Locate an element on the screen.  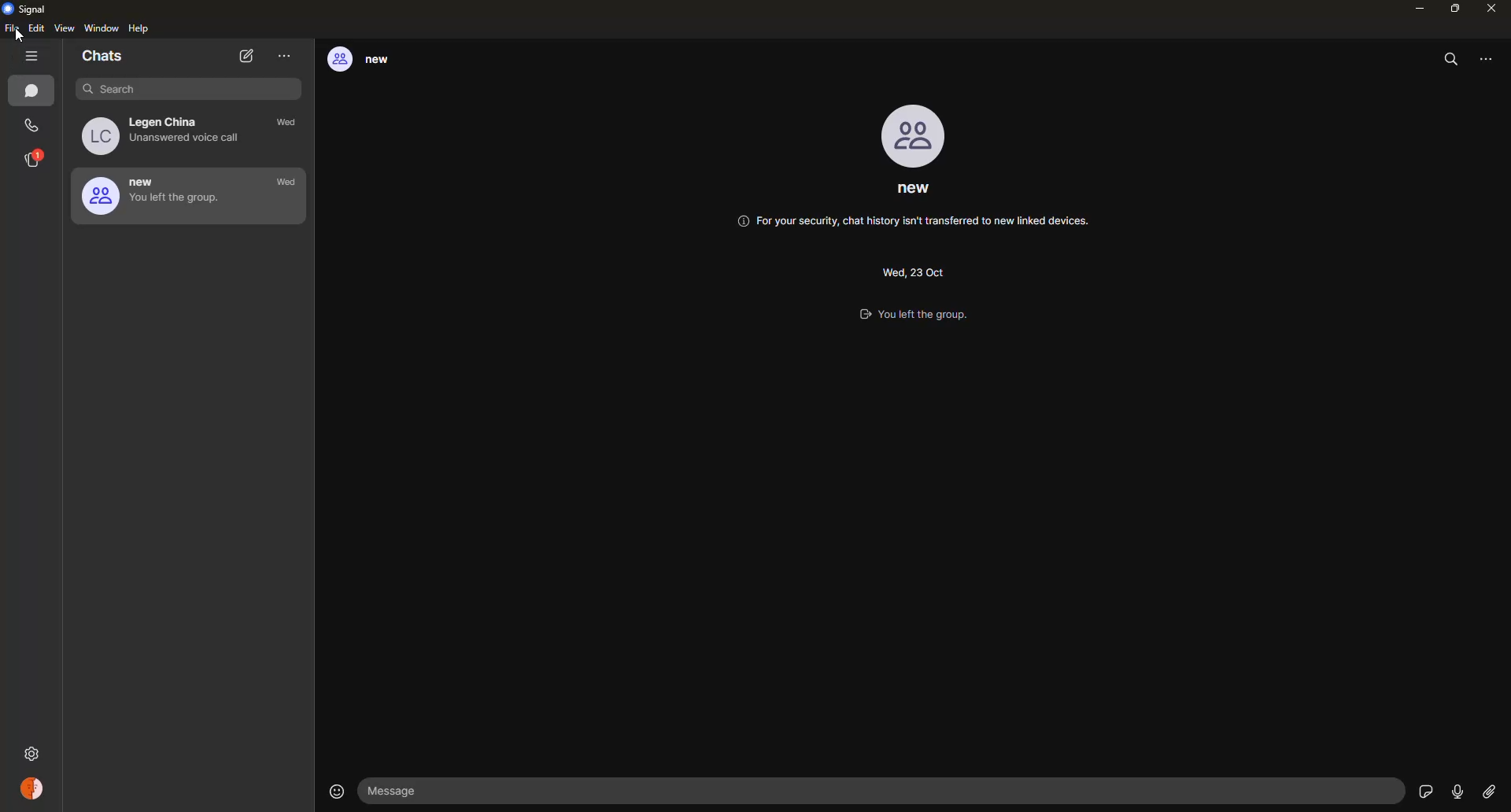
signal logo is located at coordinates (29, 9).